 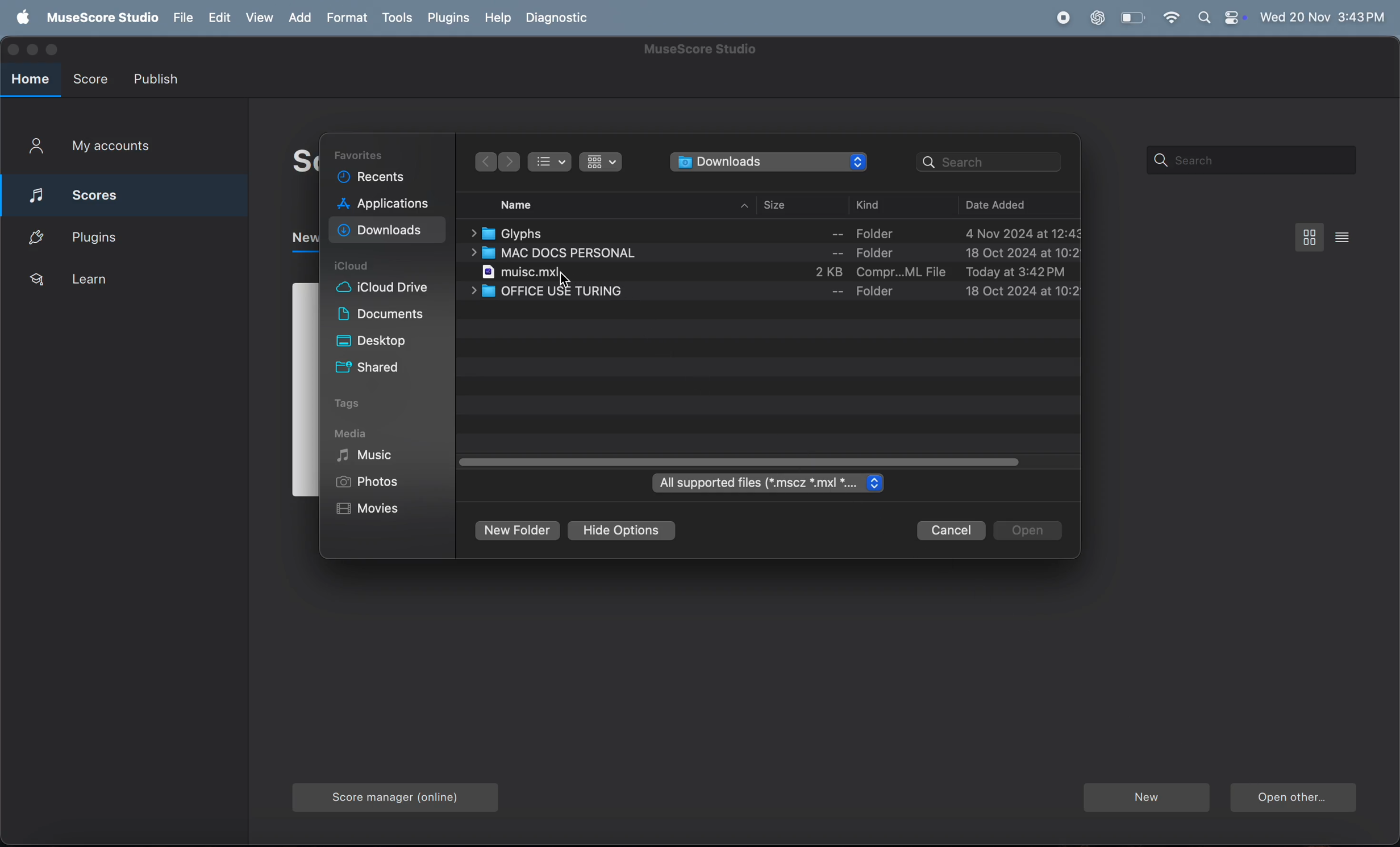 I want to click on record, so click(x=1064, y=18).